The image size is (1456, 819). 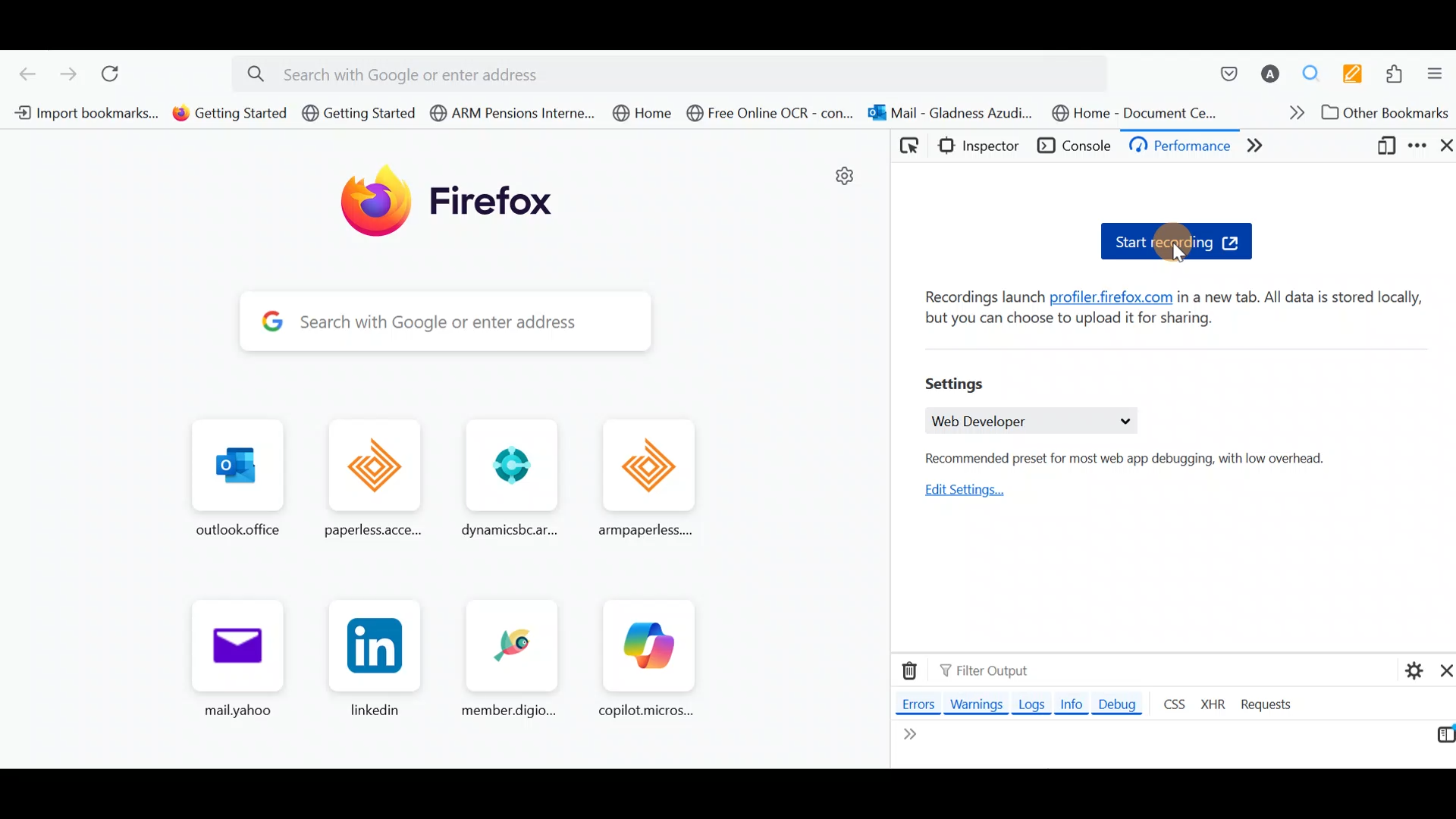 I want to click on Search bar, so click(x=677, y=71).